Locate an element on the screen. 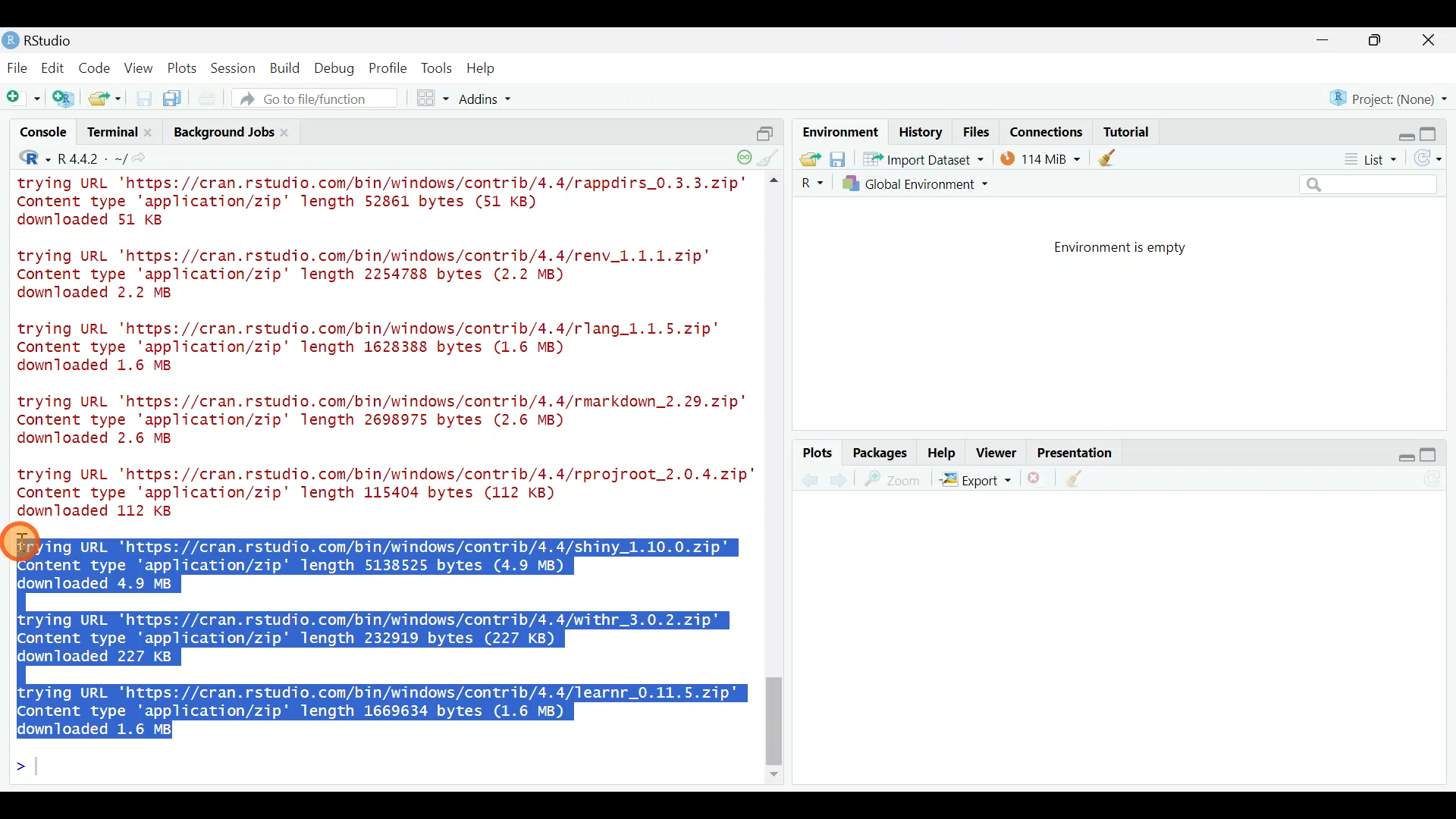  Line cursor is located at coordinates (27, 769).